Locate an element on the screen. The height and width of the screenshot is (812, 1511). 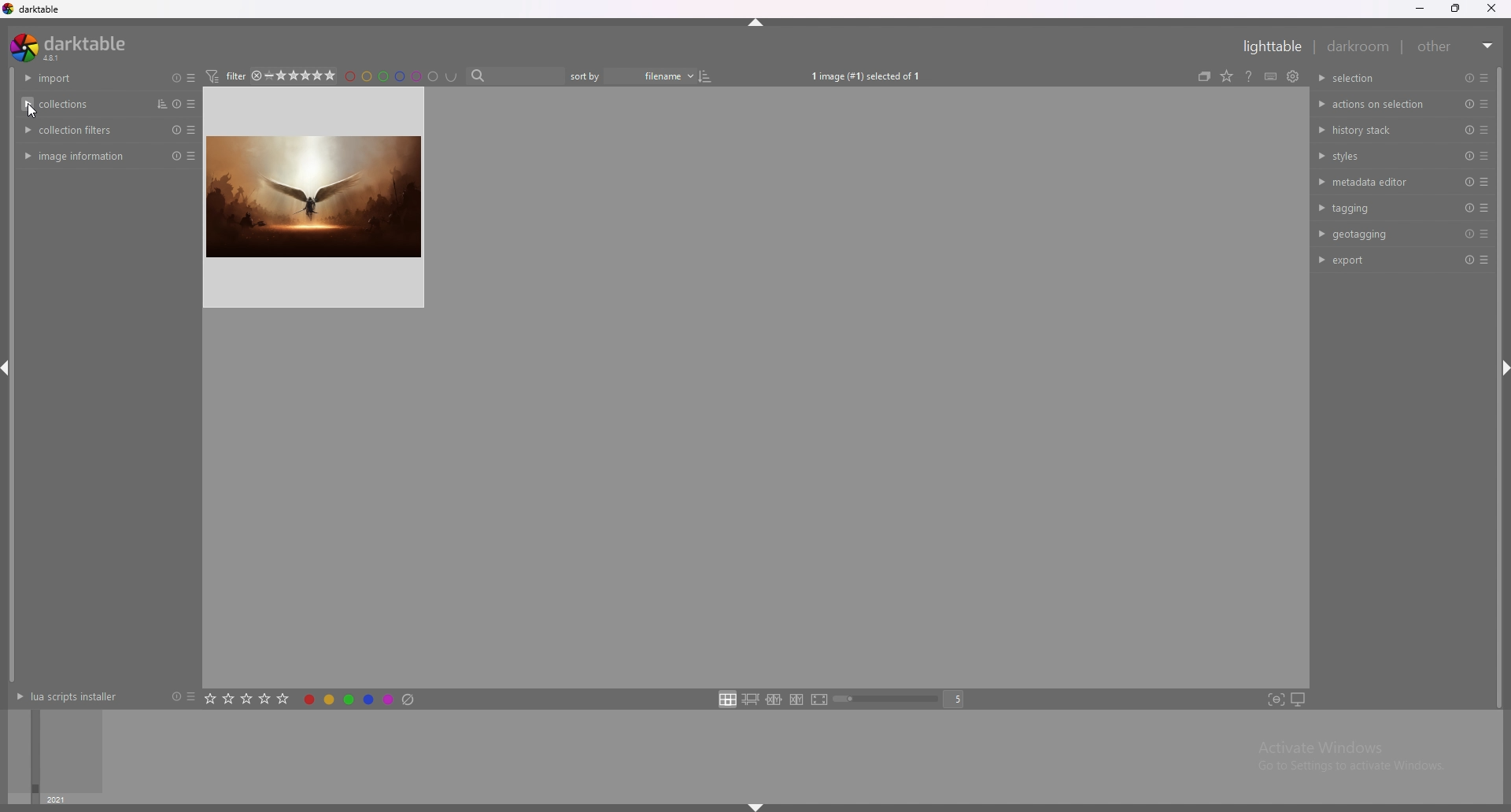
presets is located at coordinates (1484, 234).